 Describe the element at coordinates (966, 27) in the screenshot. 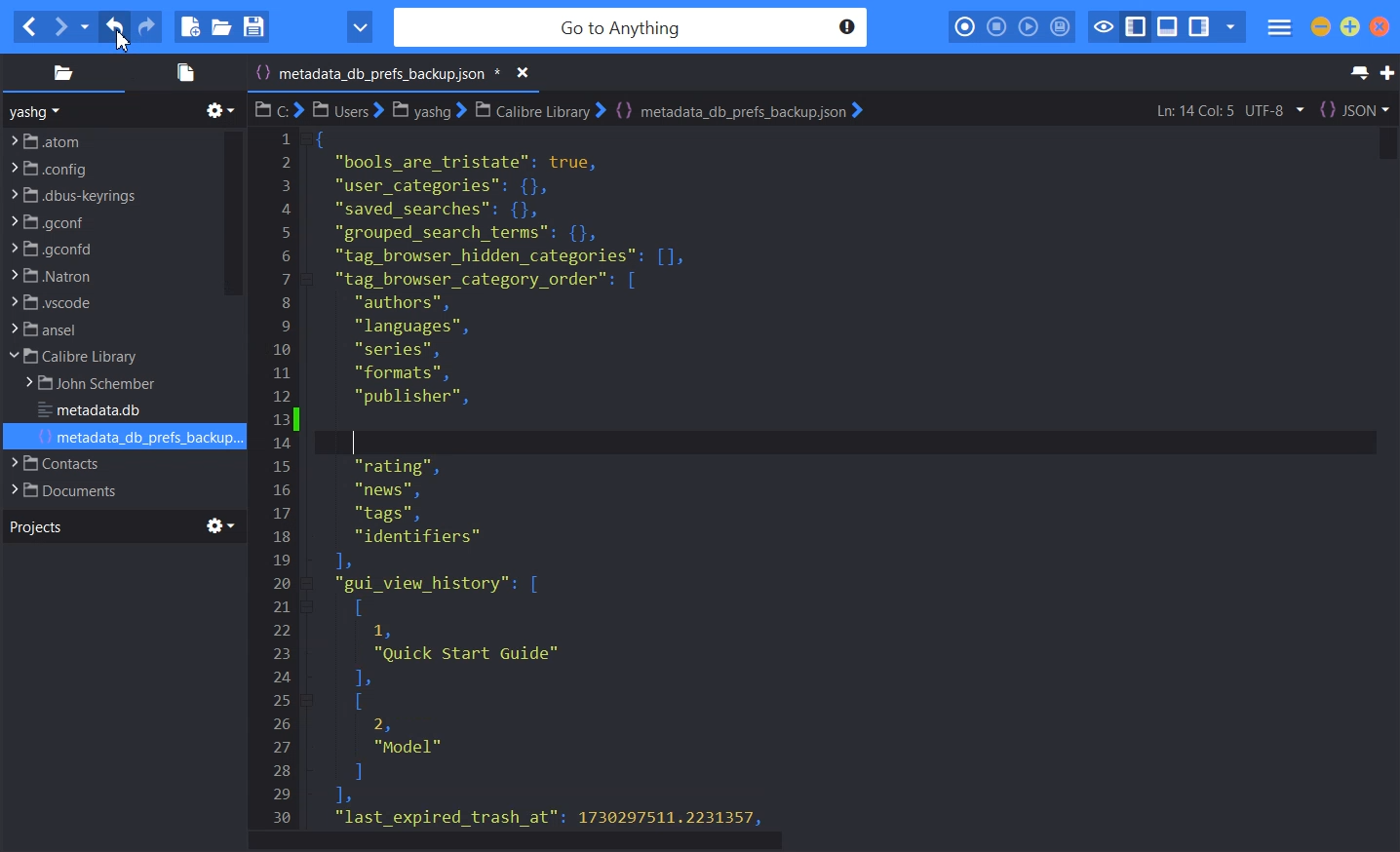

I see `Record Macro` at that location.